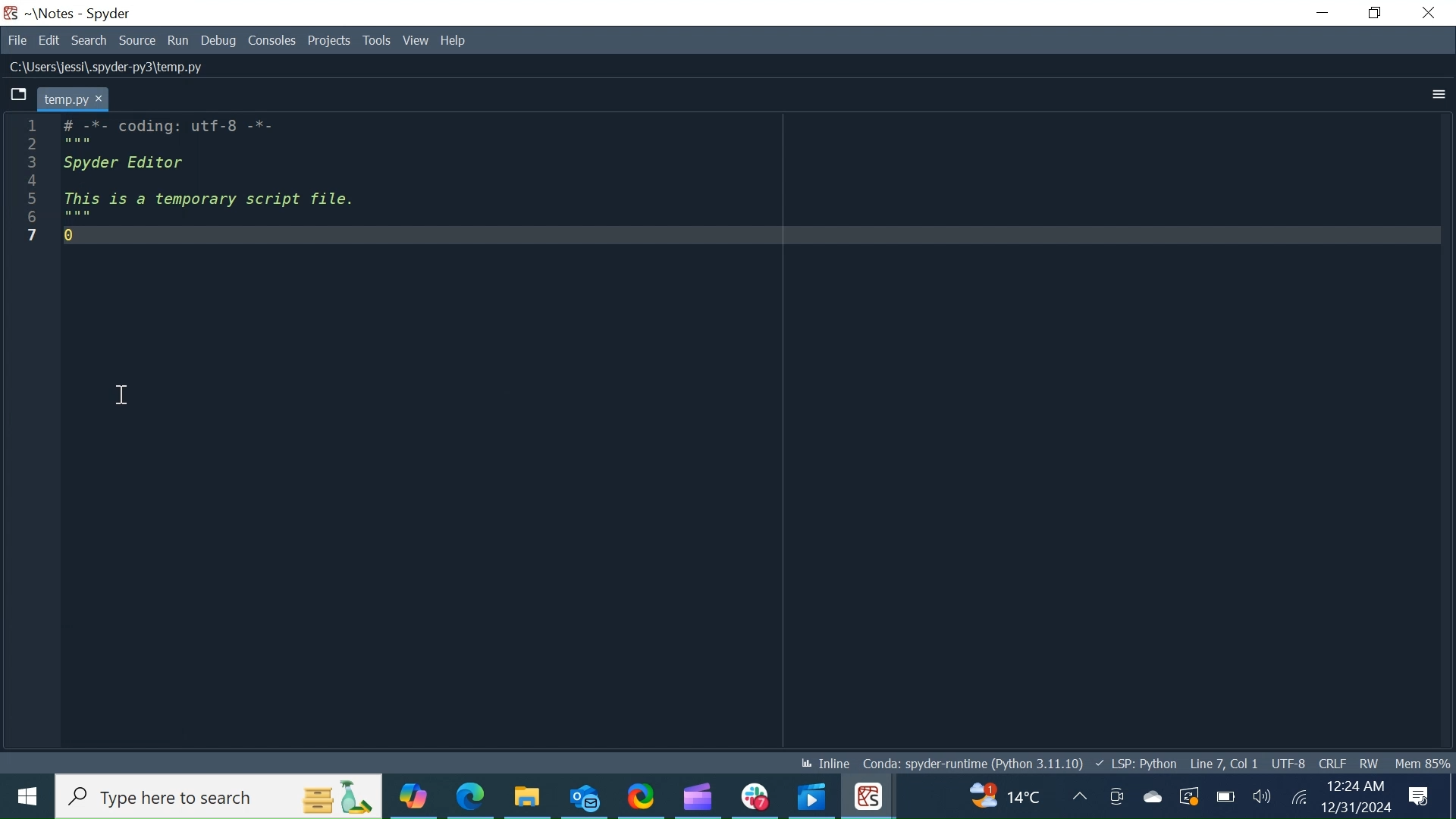 This screenshot has height=819, width=1456. I want to click on Conda: spyder runtime, so click(976, 763).